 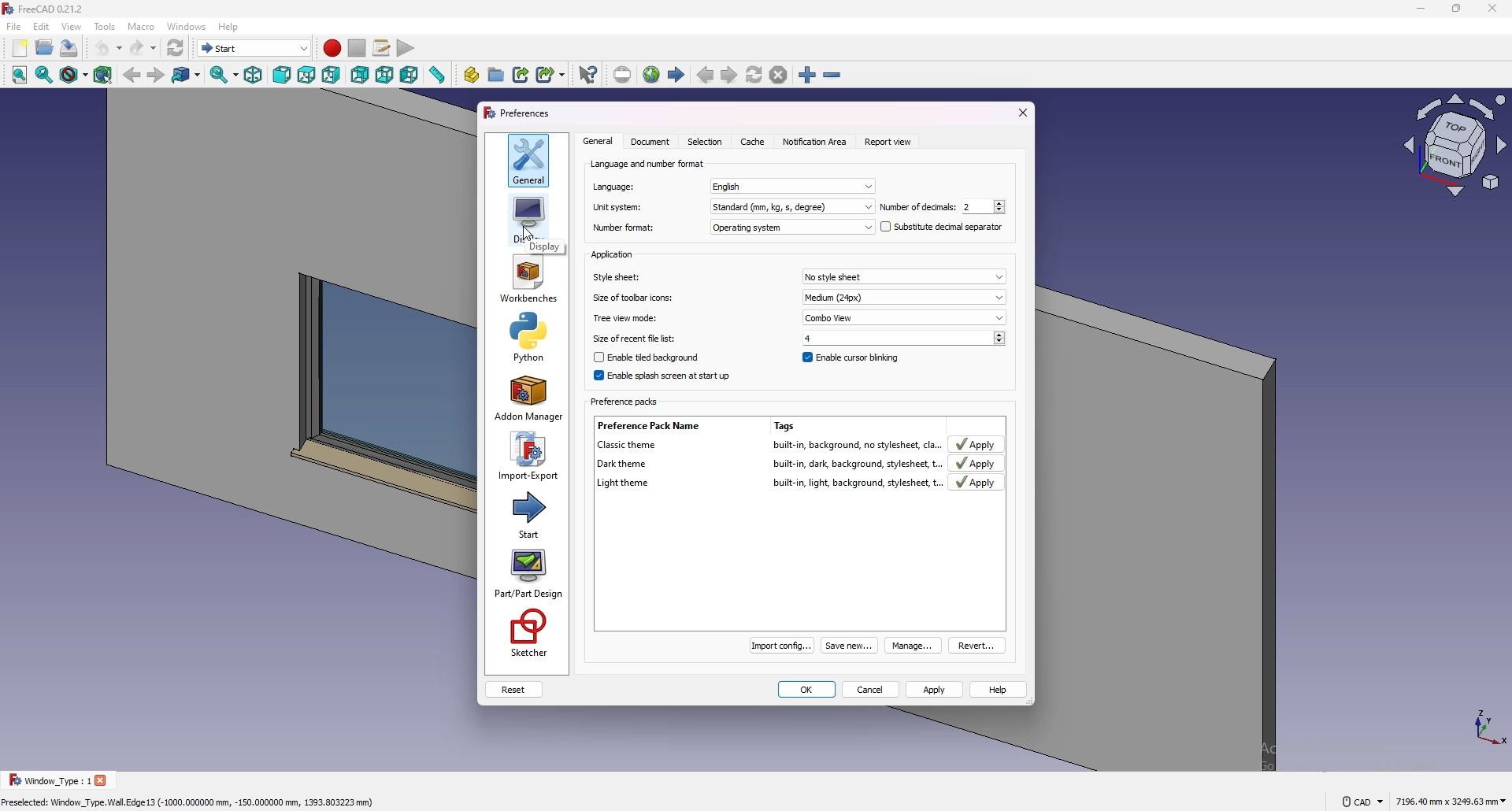 What do you see at coordinates (788, 427) in the screenshot?
I see `Tags` at bounding box center [788, 427].